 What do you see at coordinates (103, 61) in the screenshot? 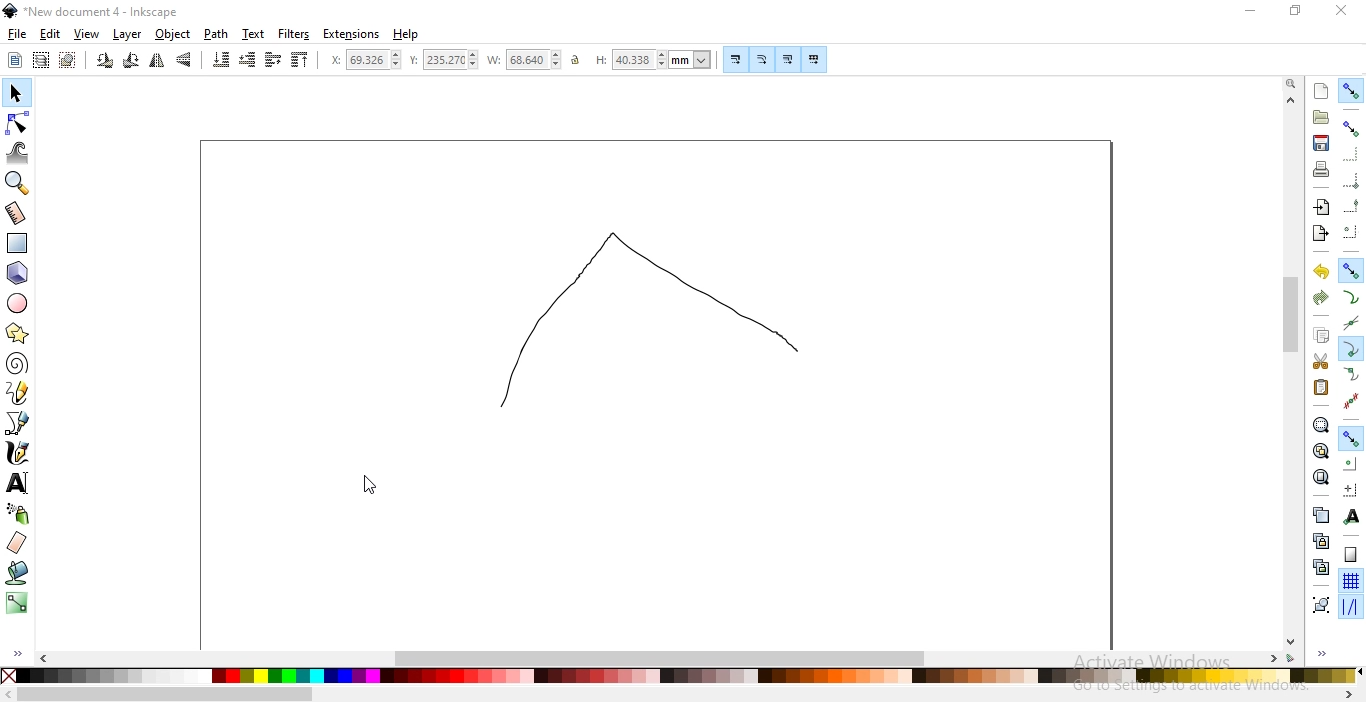
I see `rotate 90 counter clockwise` at bounding box center [103, 61].